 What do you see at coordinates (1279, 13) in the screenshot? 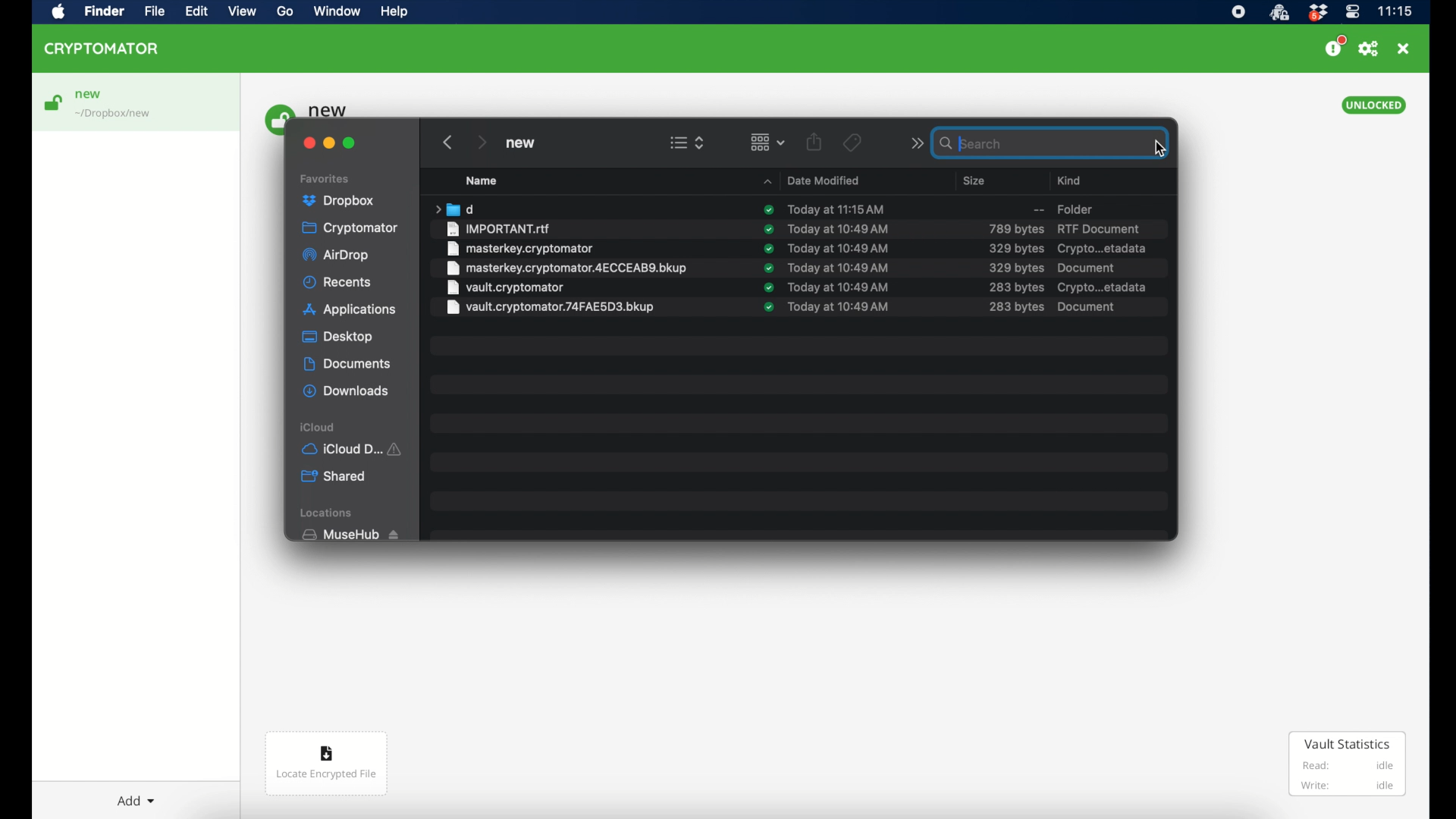
I see `cryptomatoricon` at bounding box center [1279, 13].